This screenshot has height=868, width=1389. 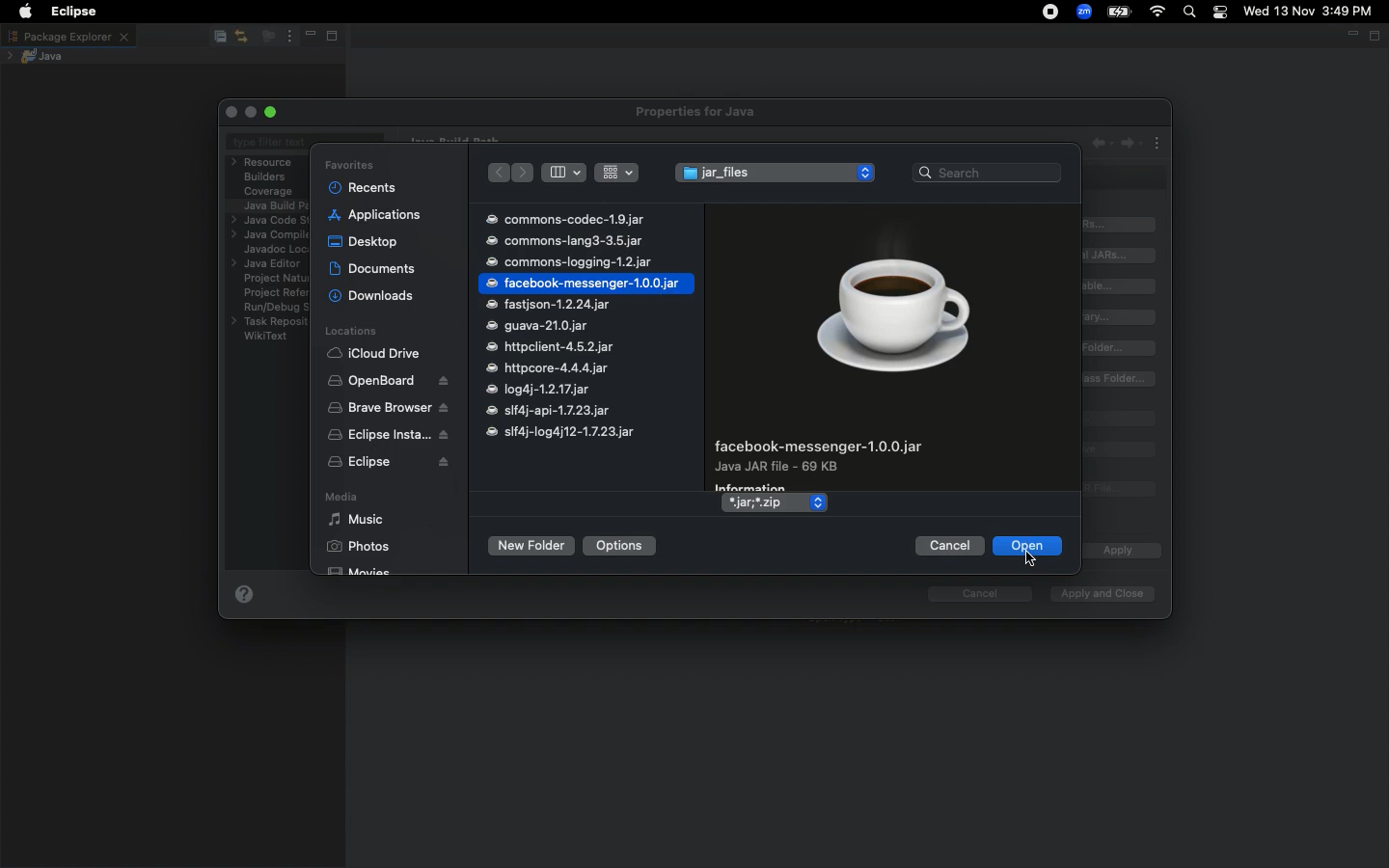 What do you see at coordinates (760, 176) in the screenshot?
I see `JAR files` at bounding box center [760, 176].